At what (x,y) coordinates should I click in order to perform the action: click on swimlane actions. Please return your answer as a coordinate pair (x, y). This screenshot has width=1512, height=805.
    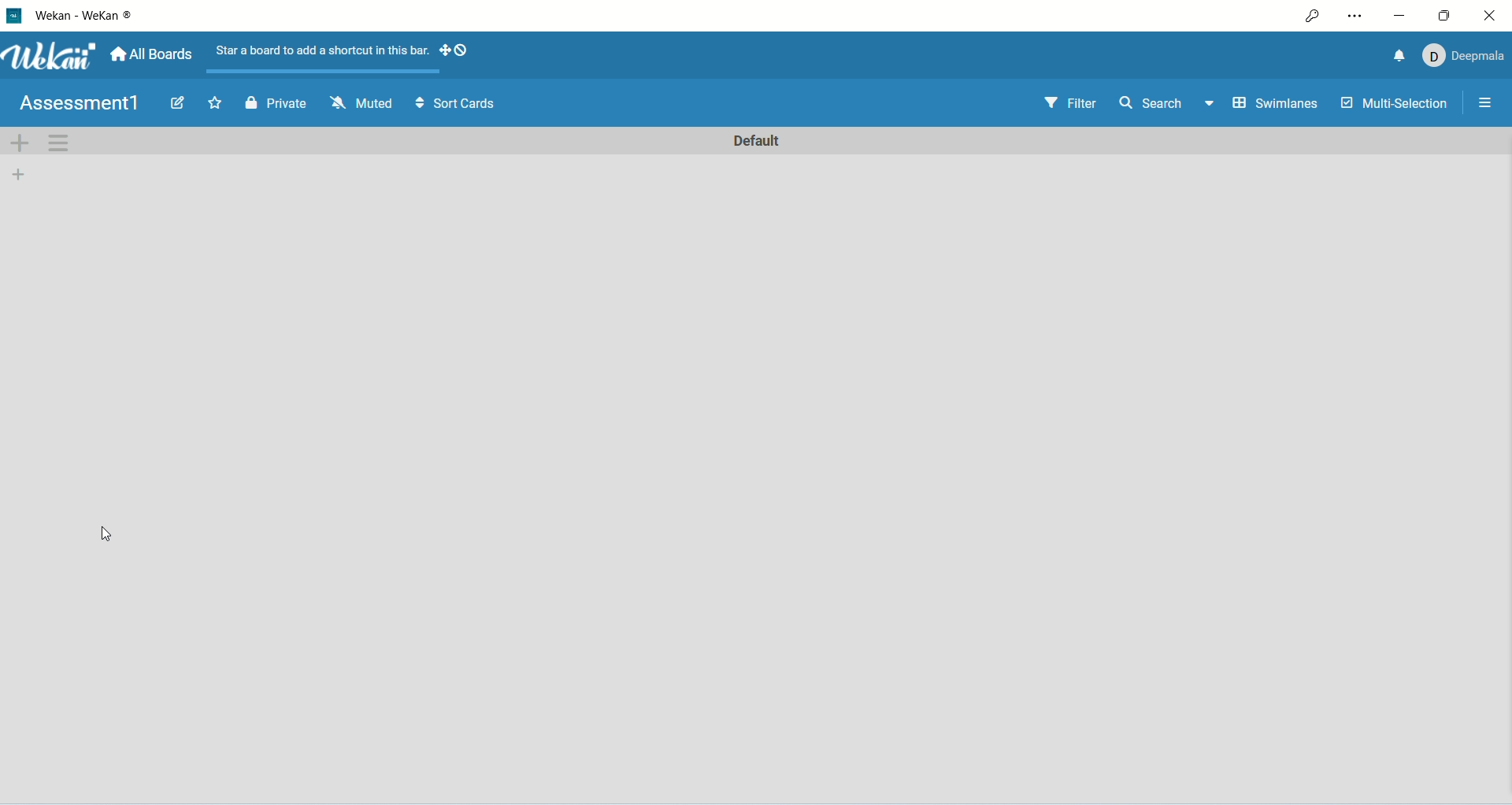
    Looking at the image, I should click on (61, 145).